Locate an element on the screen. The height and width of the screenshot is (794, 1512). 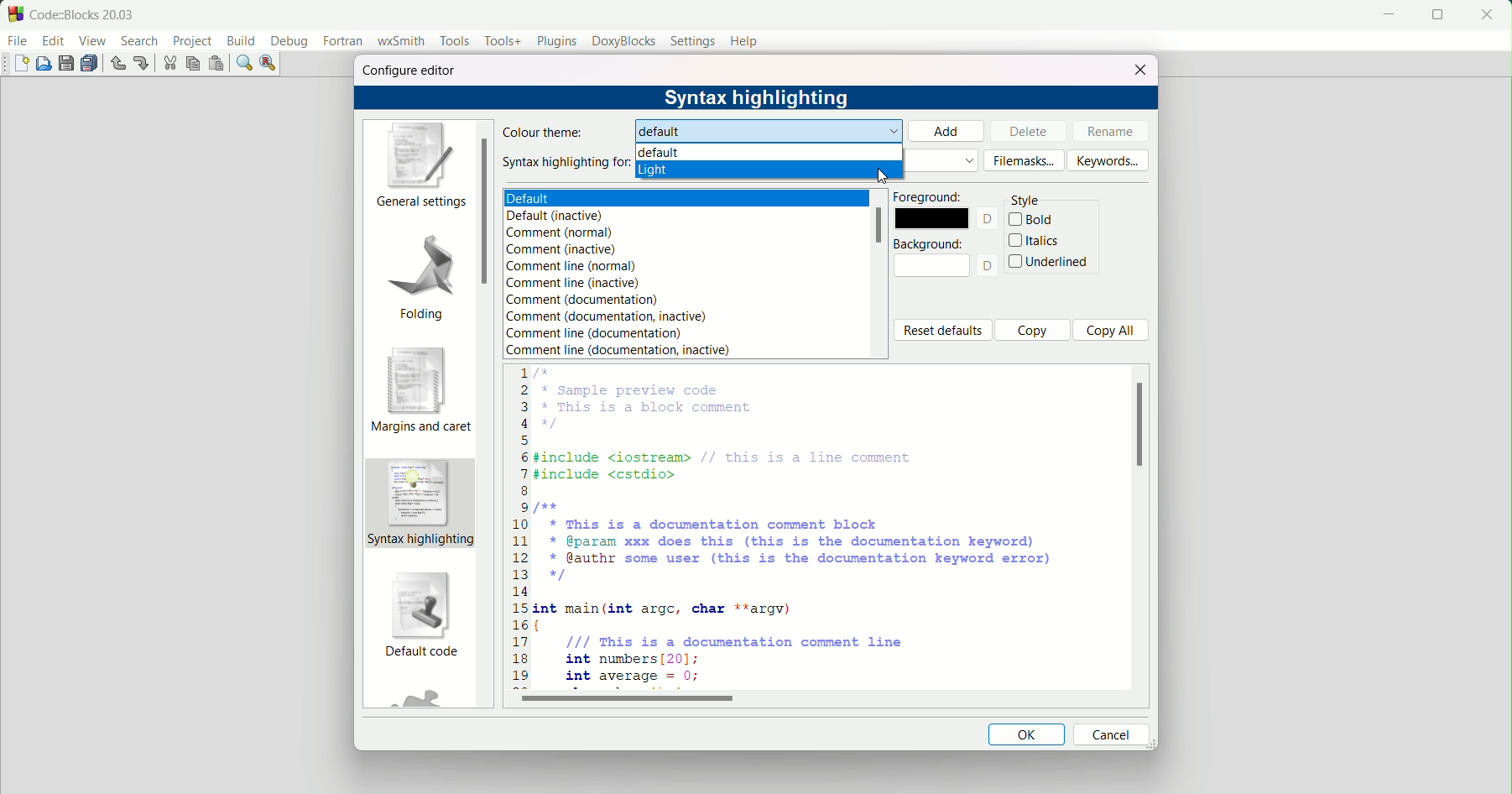
text is located at coordinates (687, 273).